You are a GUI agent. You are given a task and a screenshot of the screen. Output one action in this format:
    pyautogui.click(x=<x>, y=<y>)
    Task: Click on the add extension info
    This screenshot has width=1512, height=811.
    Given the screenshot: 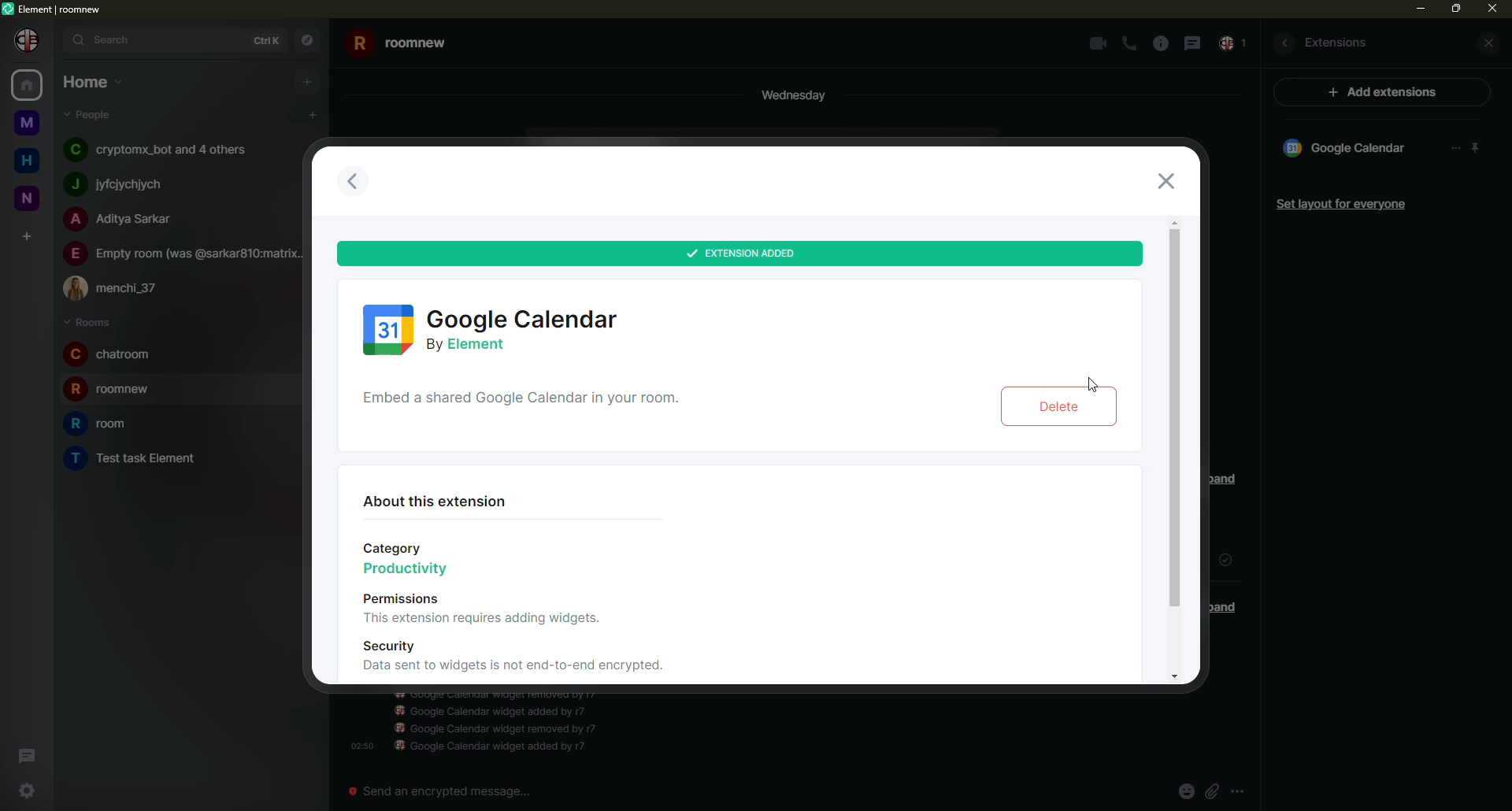 What is the action you would take?
    pyautogui.click(x=1379, y=542)
    